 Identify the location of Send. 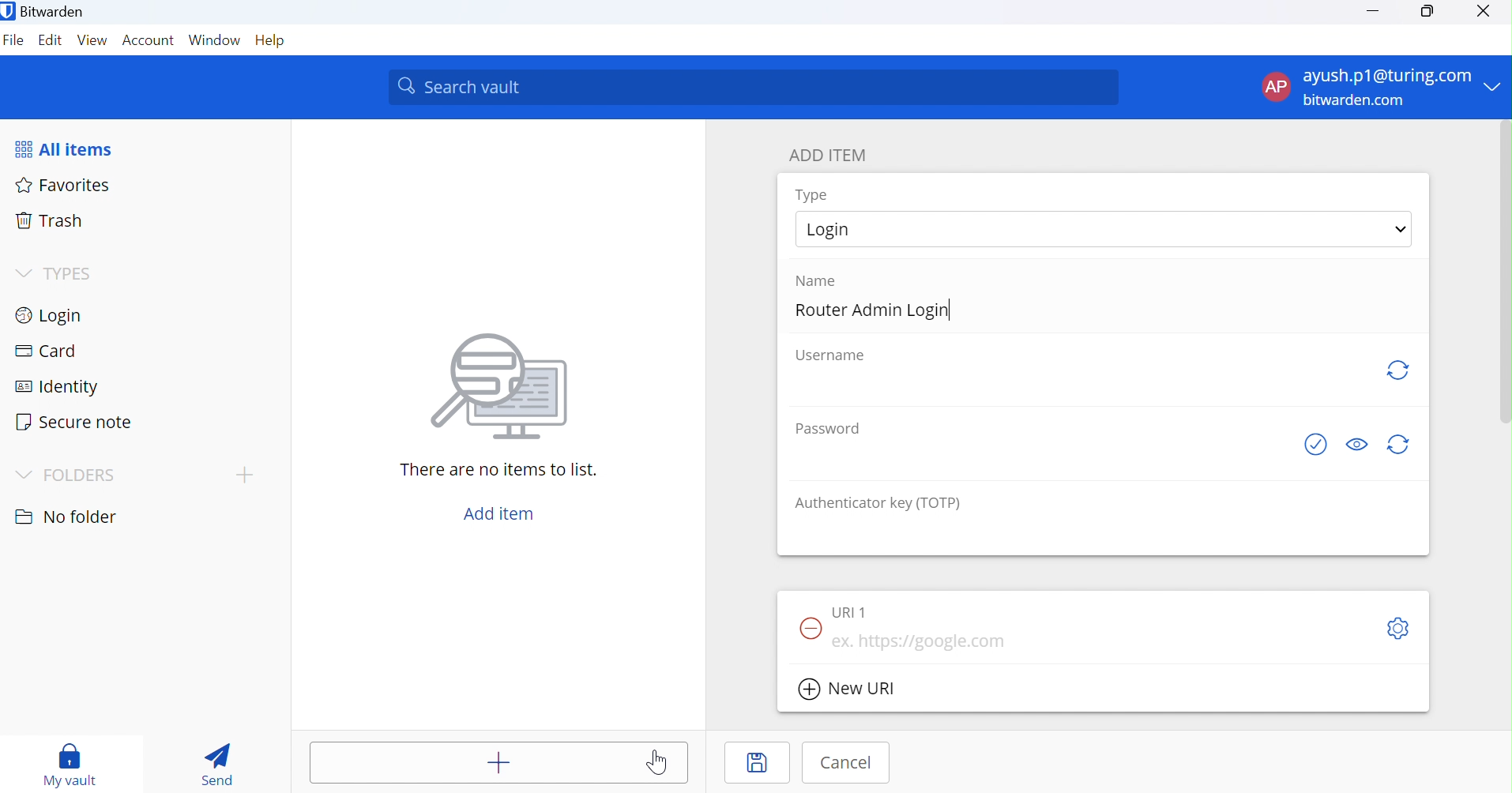
(219, 765).